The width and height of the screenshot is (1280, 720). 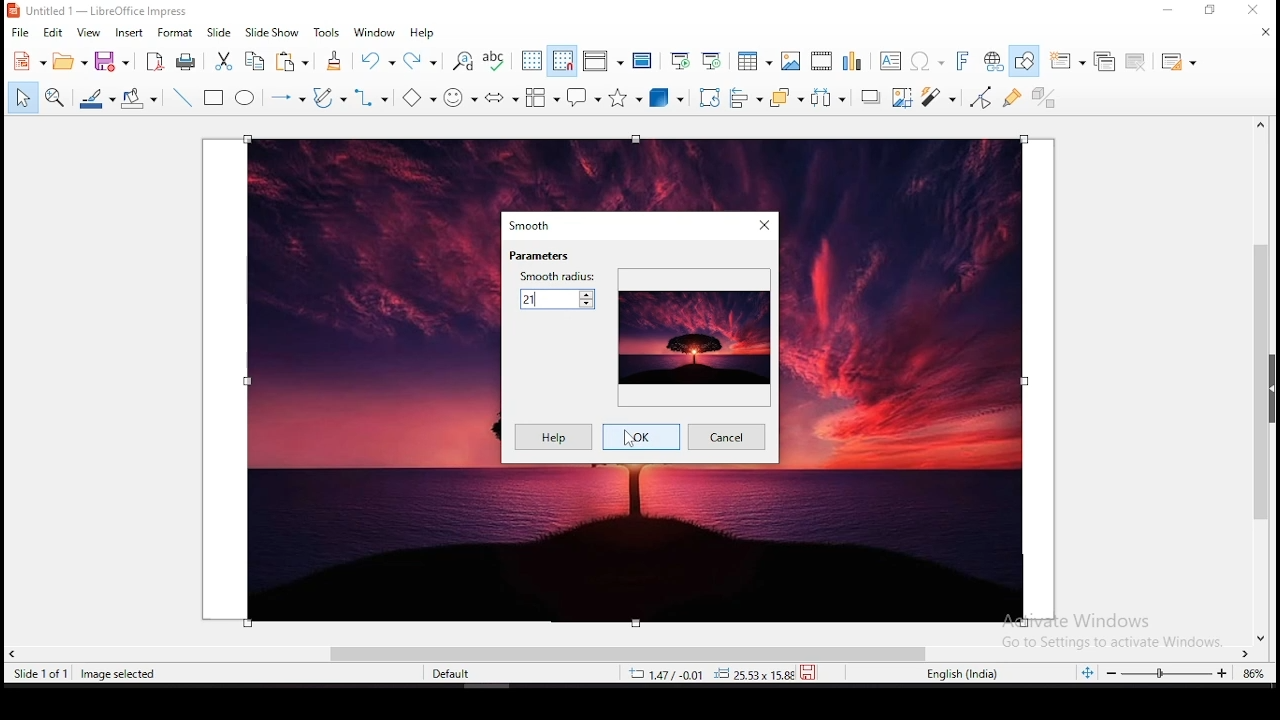 I want to click on view, so click(x=89, y=33).